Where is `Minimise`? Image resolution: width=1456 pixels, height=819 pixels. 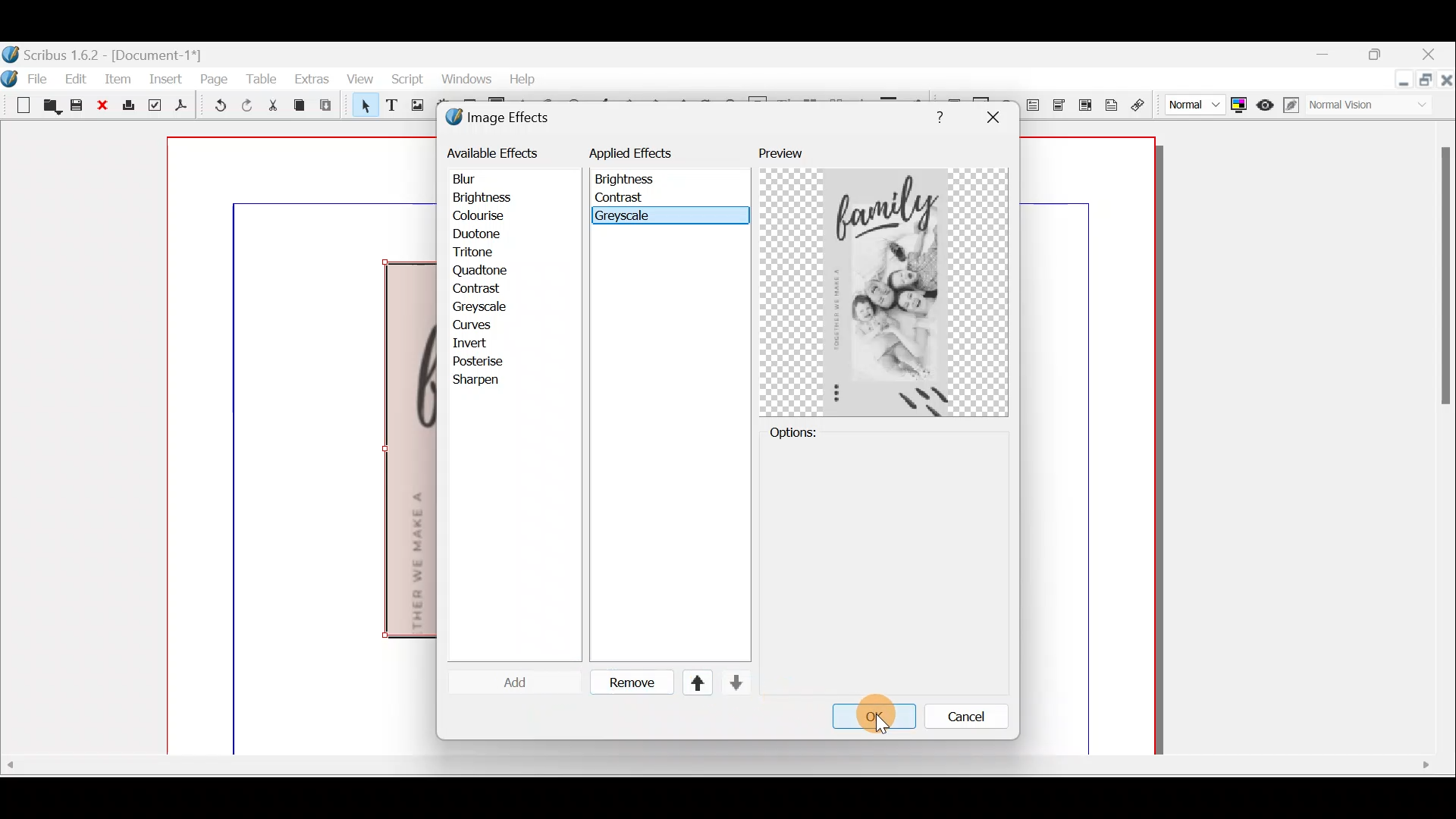
Minimise is located at coordinates (1316, 55).